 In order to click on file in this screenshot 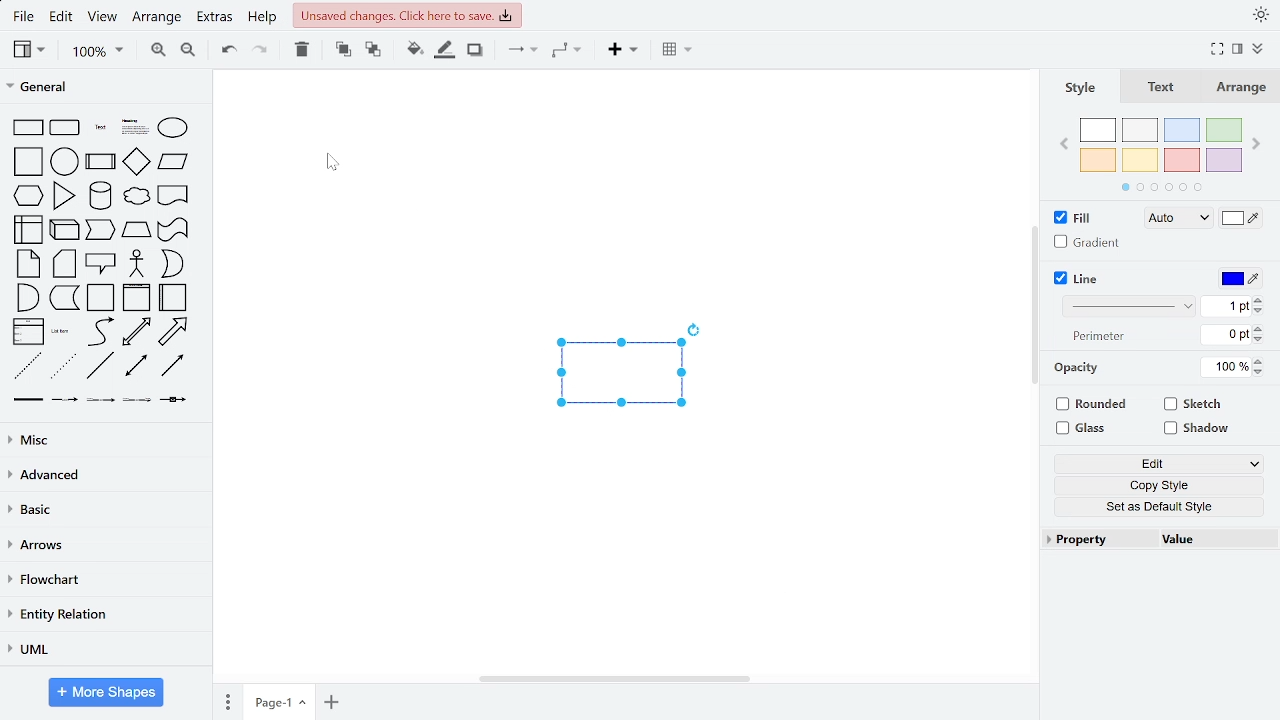, I will do `click(23, 18)`.